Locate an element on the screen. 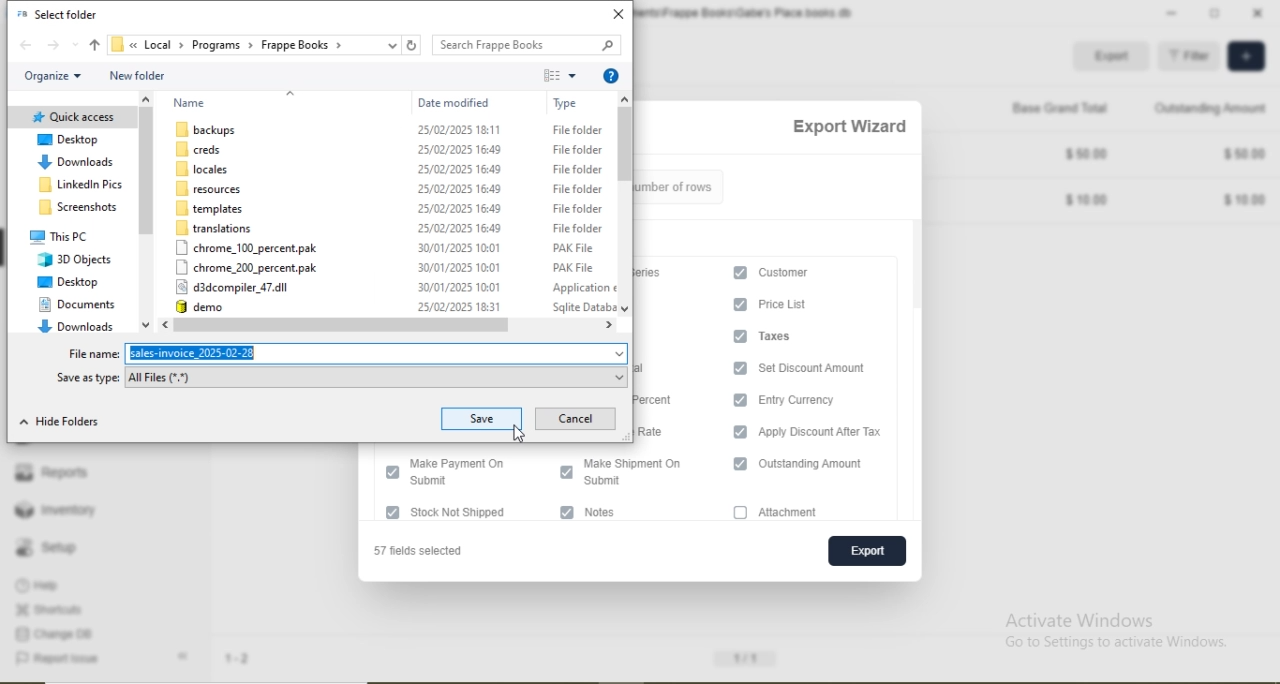 This screenshot has height=684, width=1280. Inventory is located at coordinates (57, 510).